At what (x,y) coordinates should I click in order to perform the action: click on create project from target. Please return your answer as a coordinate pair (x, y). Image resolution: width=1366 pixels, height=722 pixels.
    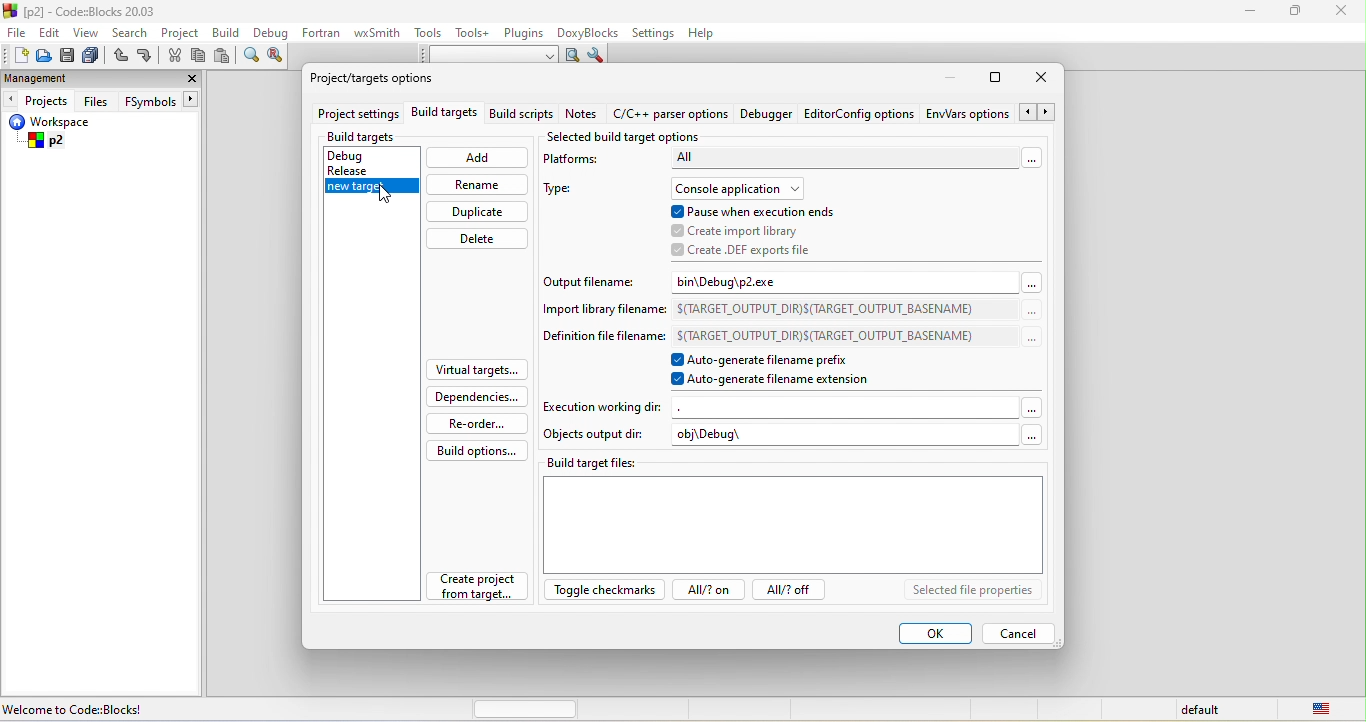
    Looking at the image, I should click on (479, 589).